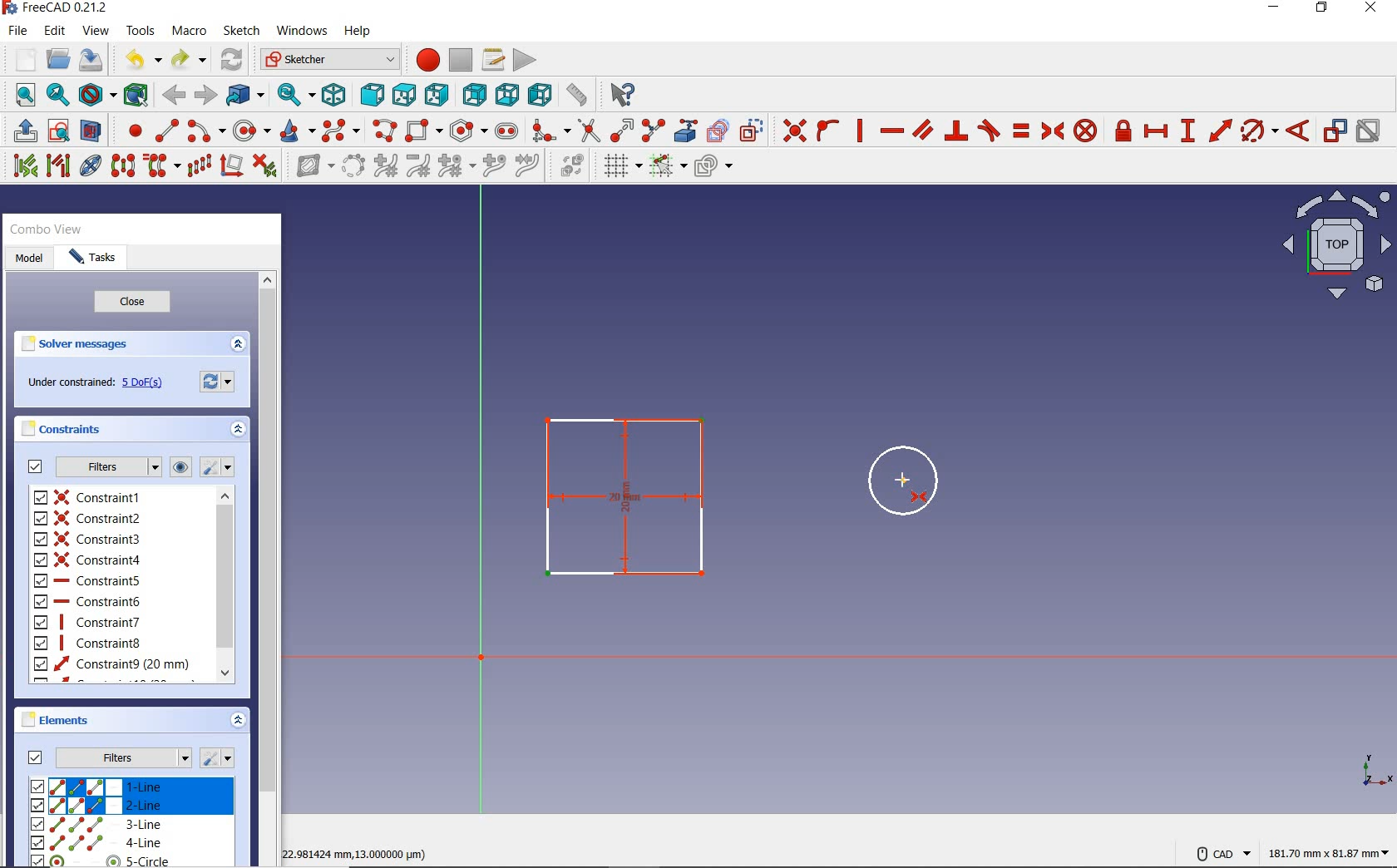 Image resolution: width=1397 pixels, height=868 pixels. Describe the element at coordinates (55, 32) in the screenshot. I see `edit` at that location.